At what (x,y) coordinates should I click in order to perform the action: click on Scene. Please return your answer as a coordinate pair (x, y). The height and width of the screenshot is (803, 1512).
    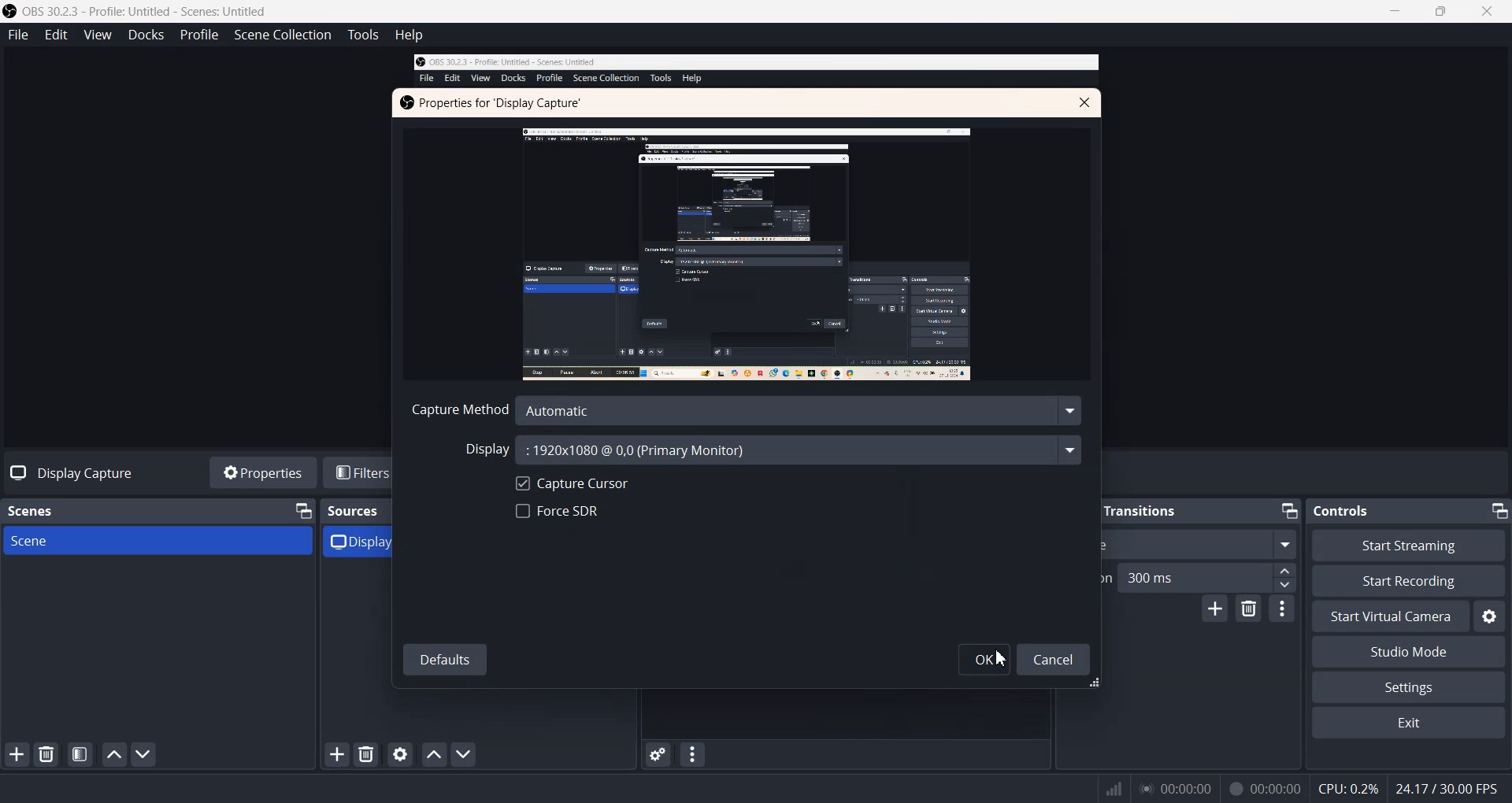
    Looking at the image, I should click on (158, 540).